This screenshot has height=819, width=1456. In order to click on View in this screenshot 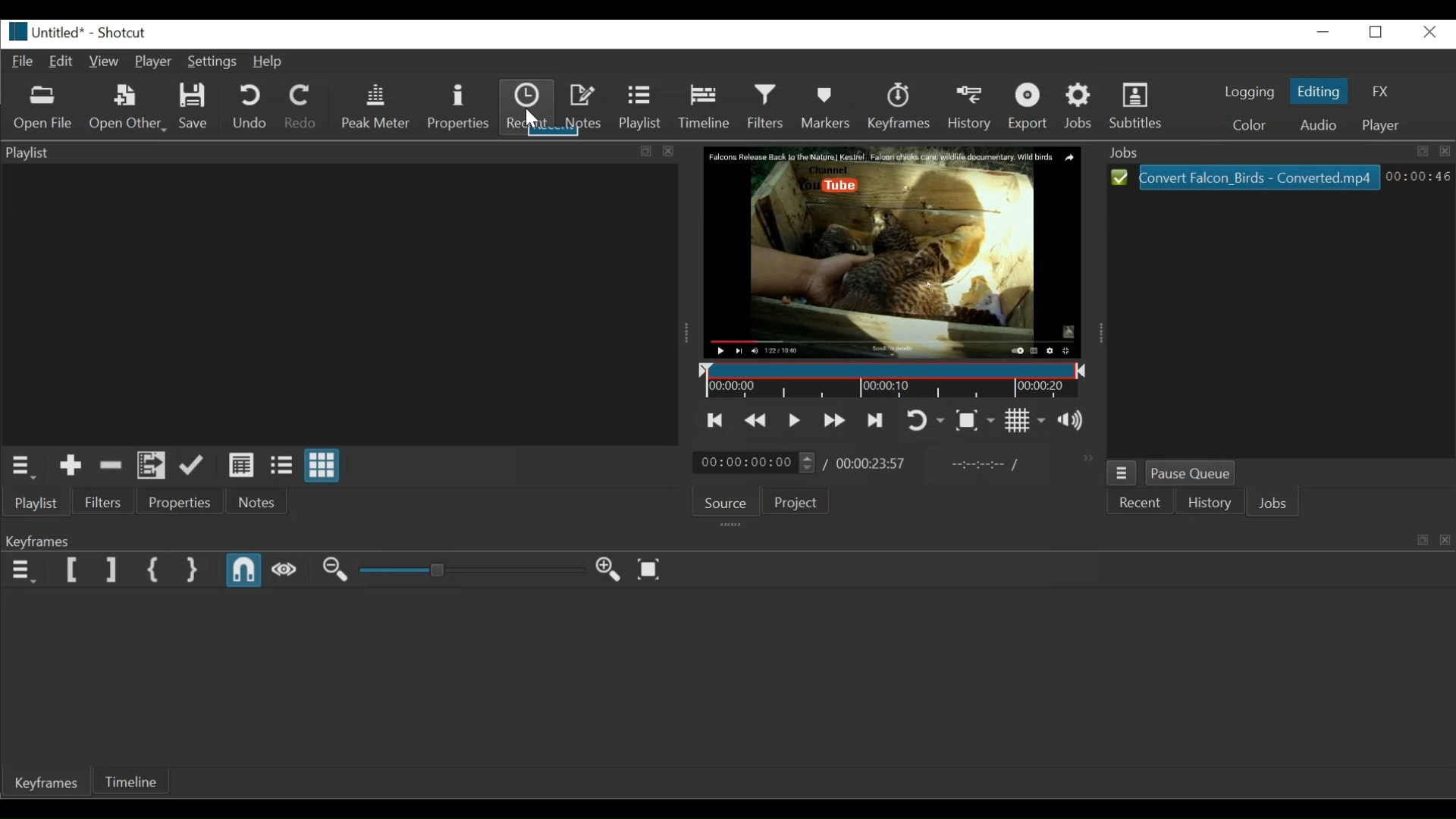, I will do `click(103, 61)`.